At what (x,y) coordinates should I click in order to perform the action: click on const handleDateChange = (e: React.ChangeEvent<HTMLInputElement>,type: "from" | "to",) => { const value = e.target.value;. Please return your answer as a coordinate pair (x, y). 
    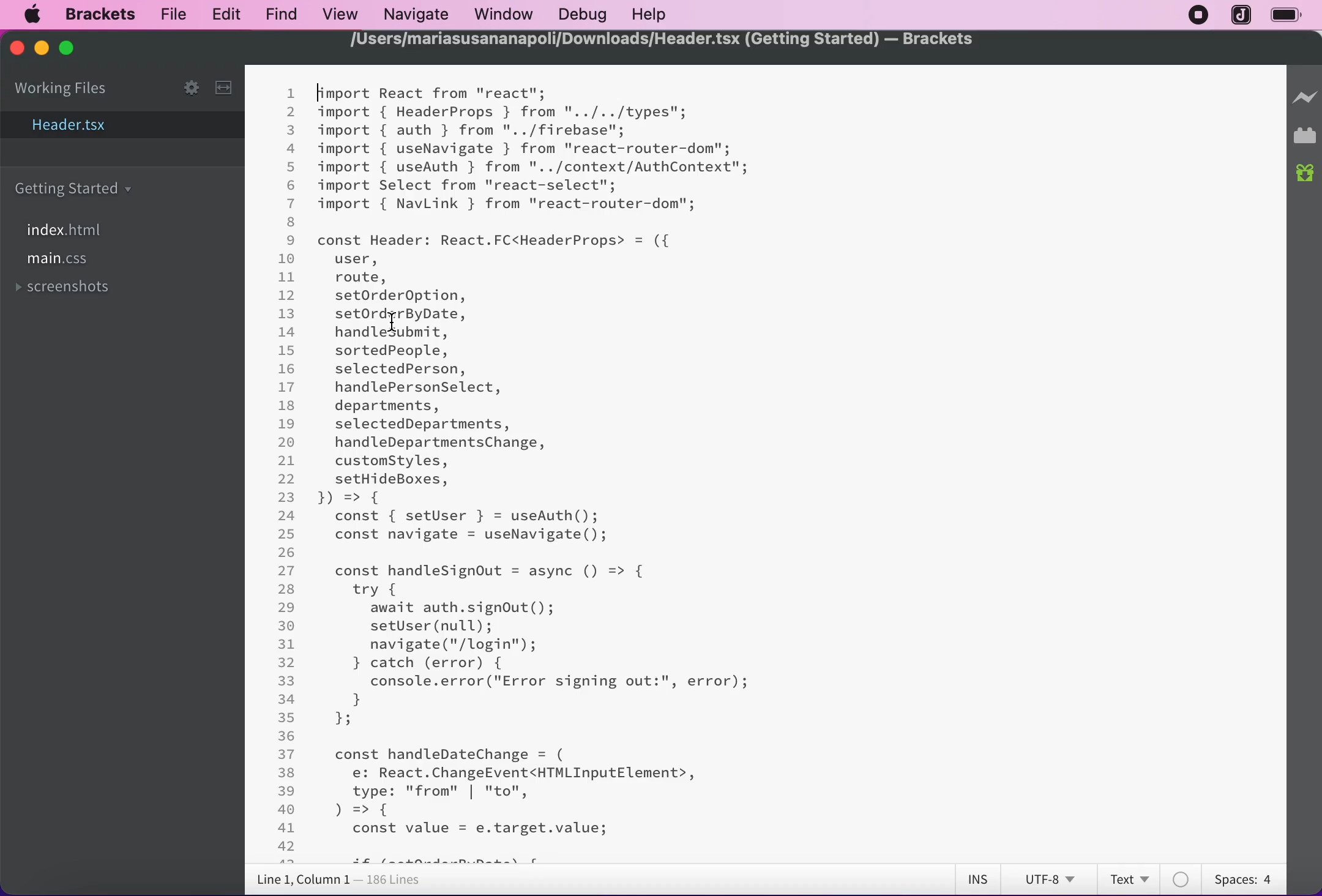
    Looking at the image, I should click on (517, 794).